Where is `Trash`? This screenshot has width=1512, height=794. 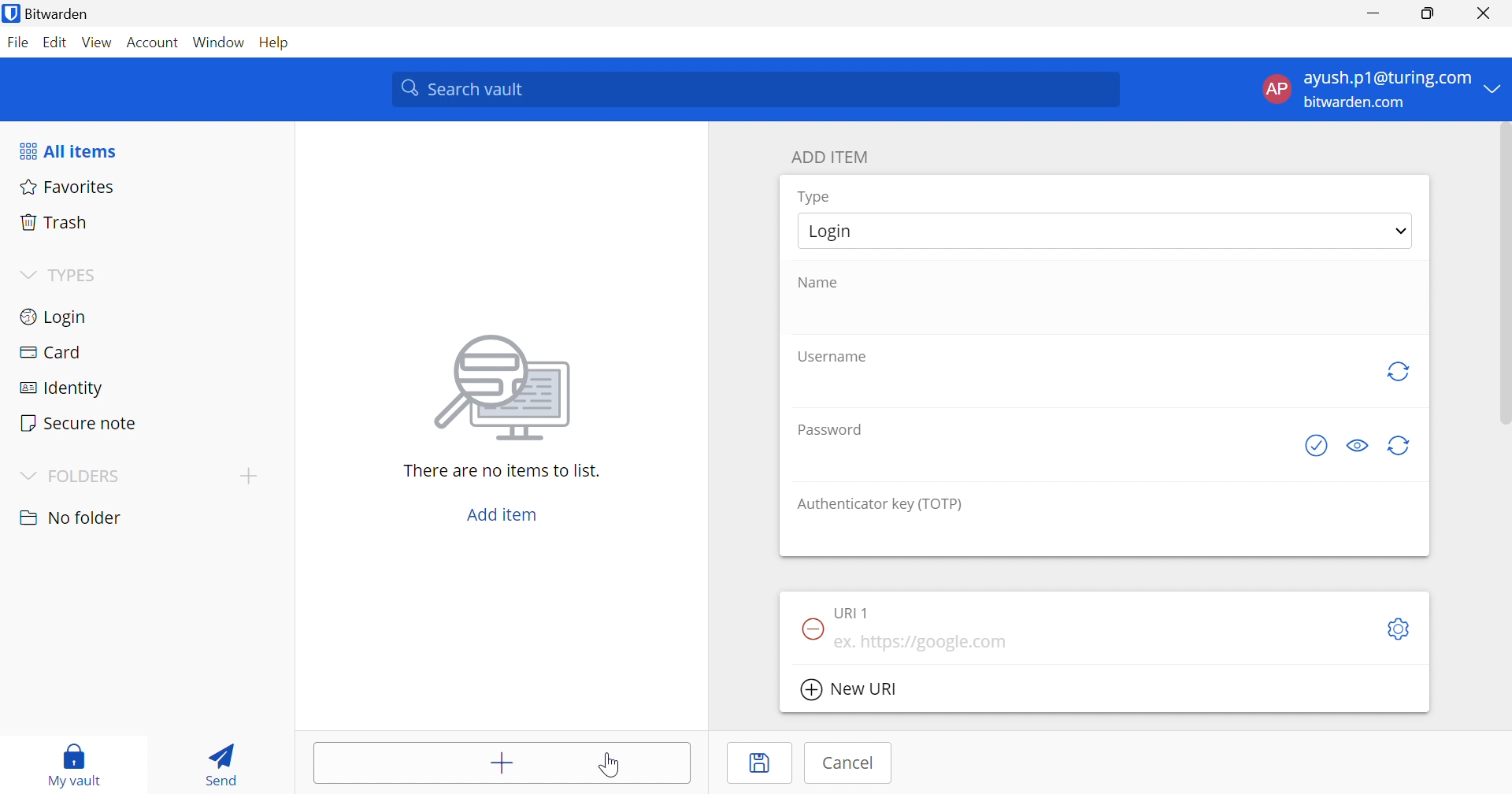
Trash is located at coordinates (59, 224).